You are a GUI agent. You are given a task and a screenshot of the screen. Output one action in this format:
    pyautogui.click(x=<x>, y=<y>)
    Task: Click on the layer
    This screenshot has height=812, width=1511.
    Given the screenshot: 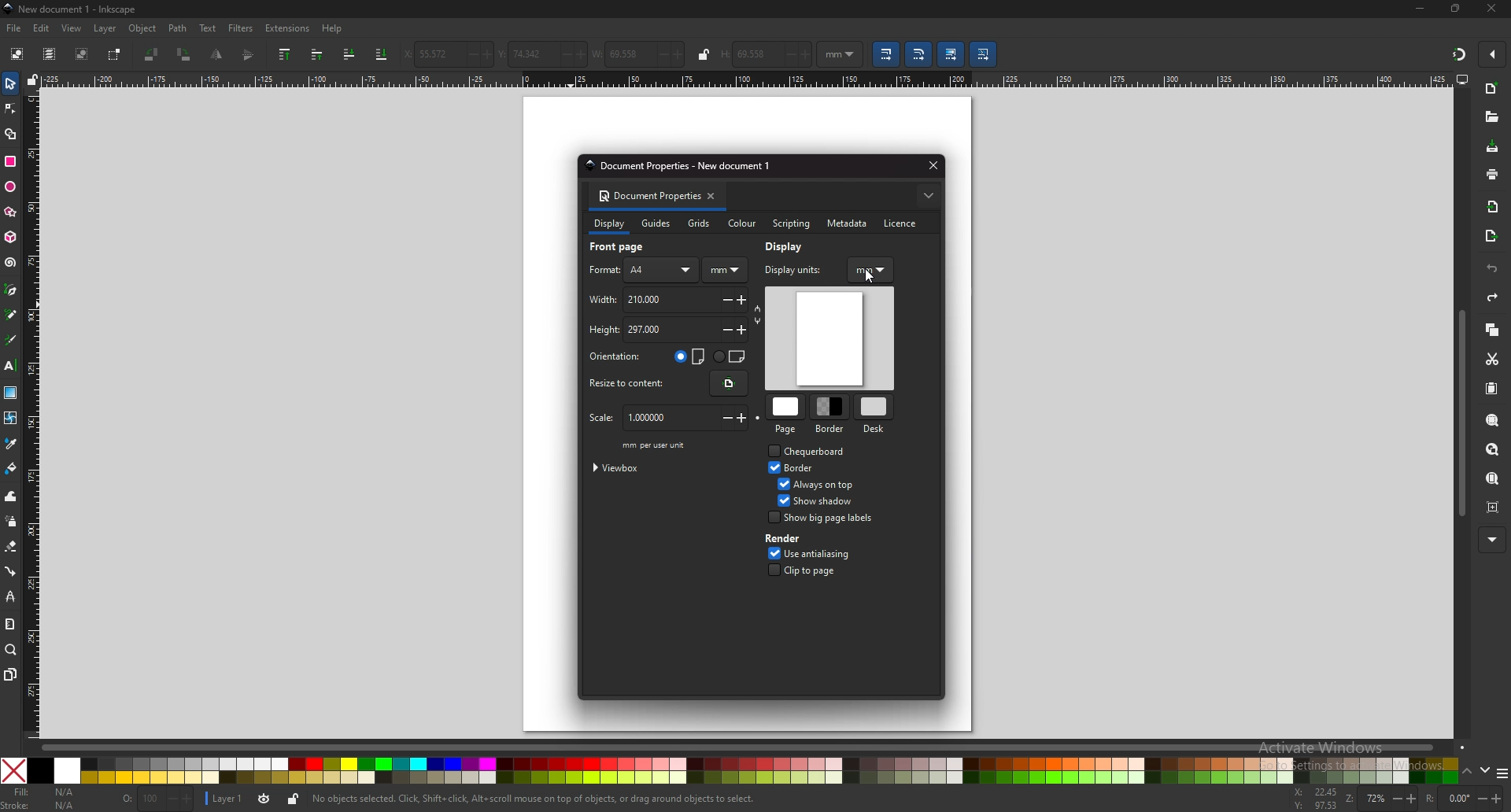 What is the action you would take?
    pyautogui.click(x=107, y=29)
    